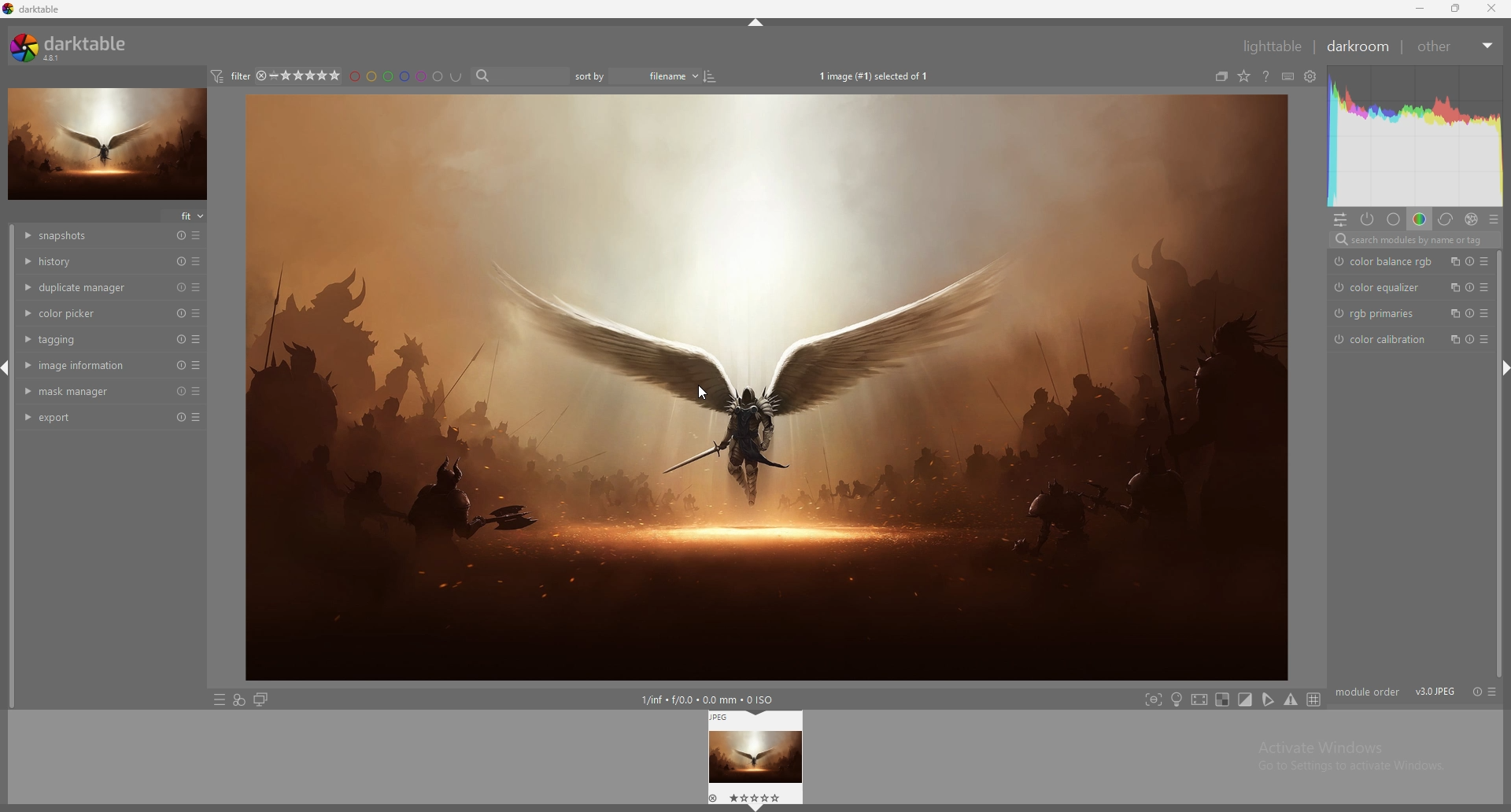 This screenshot has height=812, width=1511. I want to click on photo preview, so click(756, 757).